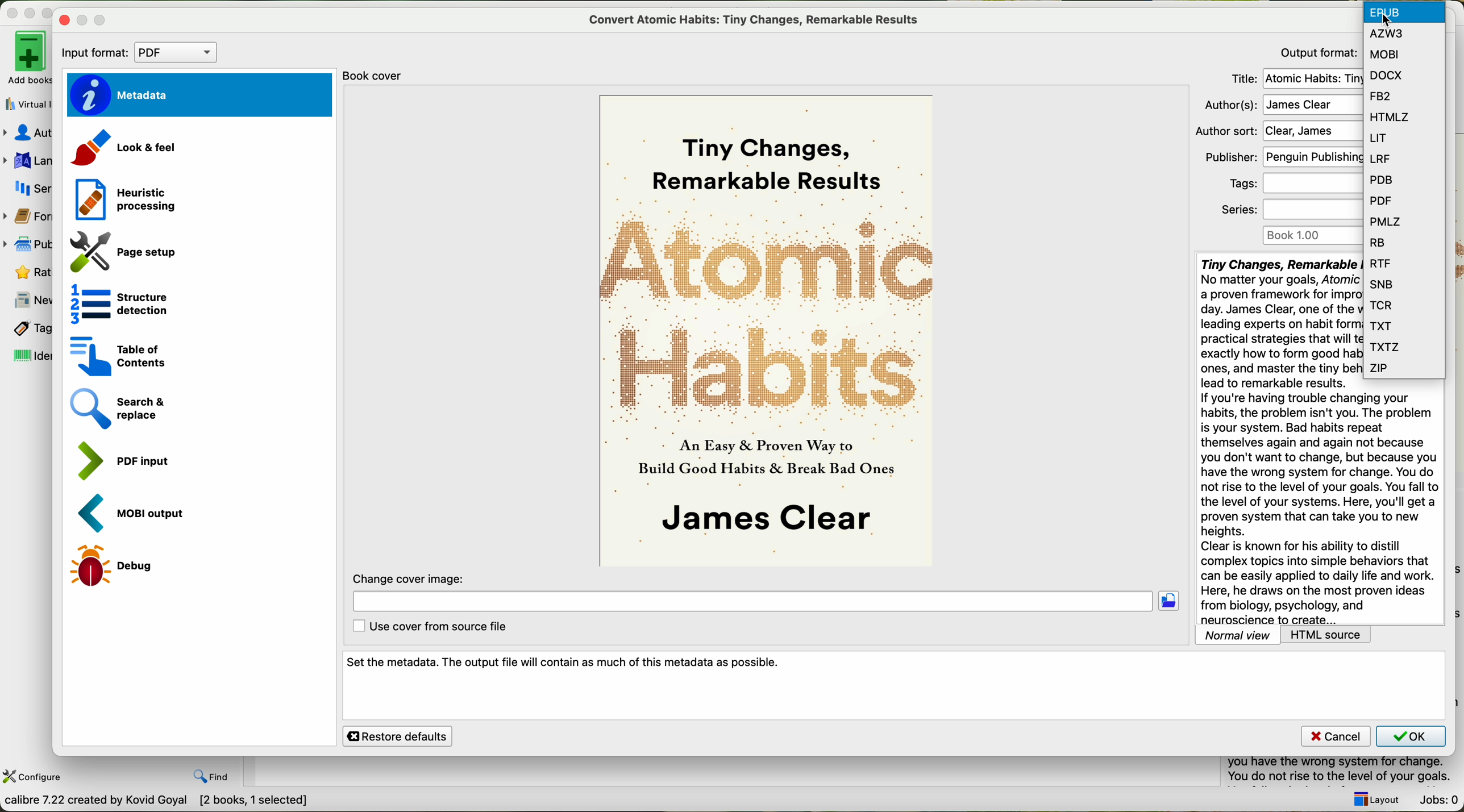 The height and width of the screenshot is (812, 1464). I want to click on RTF, so click(1406, 263).